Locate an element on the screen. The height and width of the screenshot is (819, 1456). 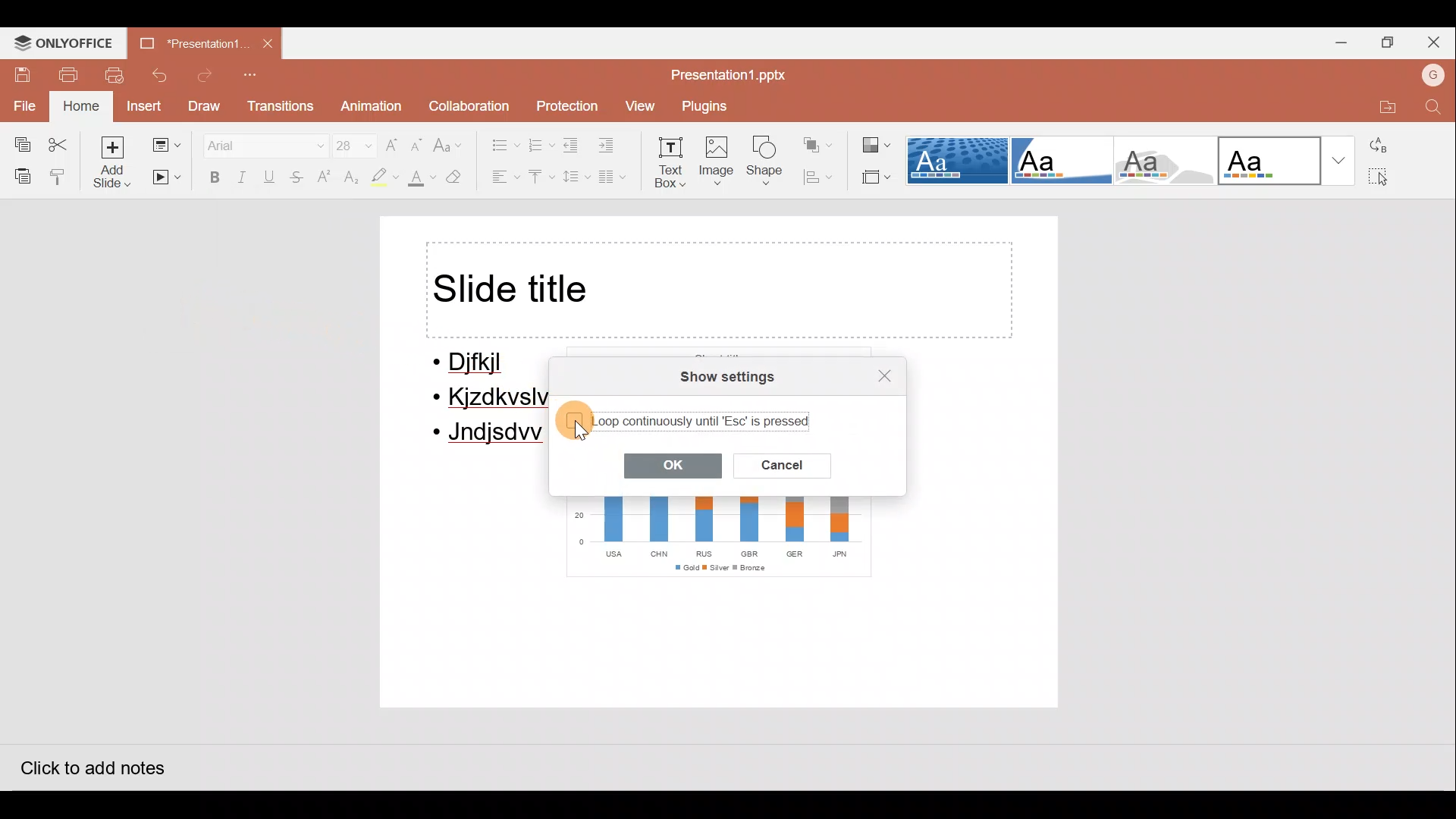
Change colour theme is located at coordinates (874, 146).